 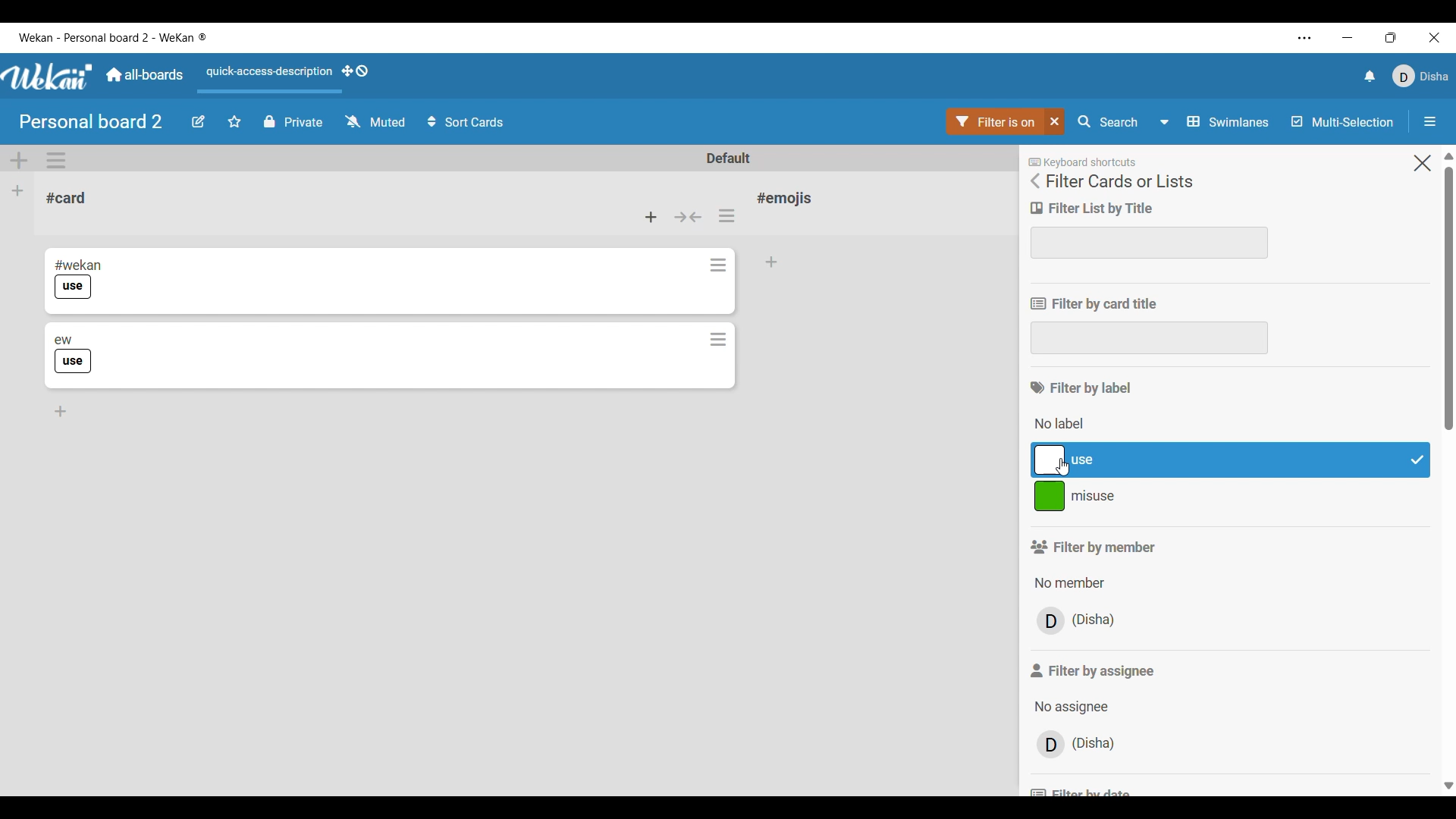 What do you see at coordinates (1119, 181) in the screenshot?
I see `Panel title` at bounding box center [1119, 181].